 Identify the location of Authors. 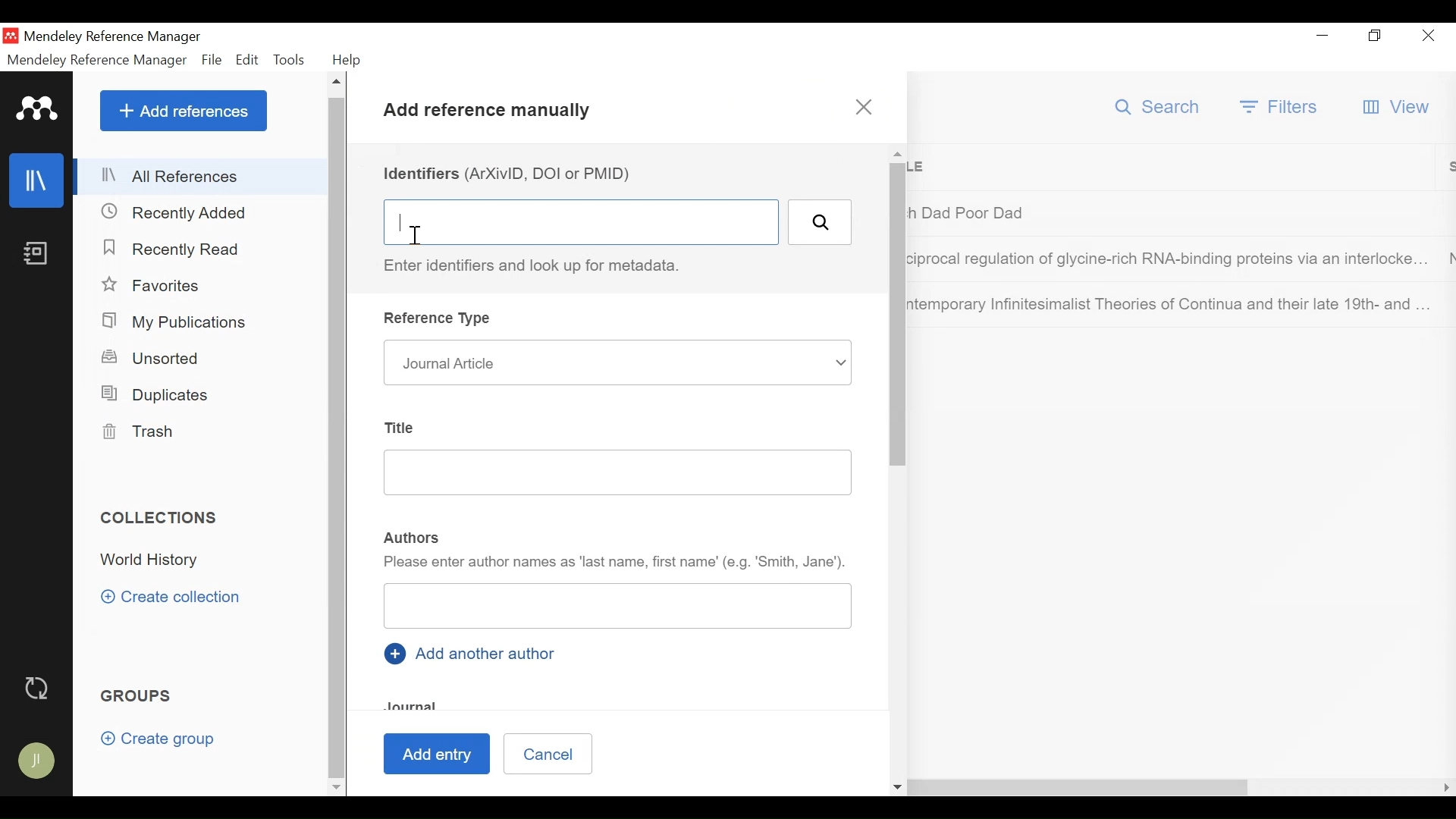
(413, 538).